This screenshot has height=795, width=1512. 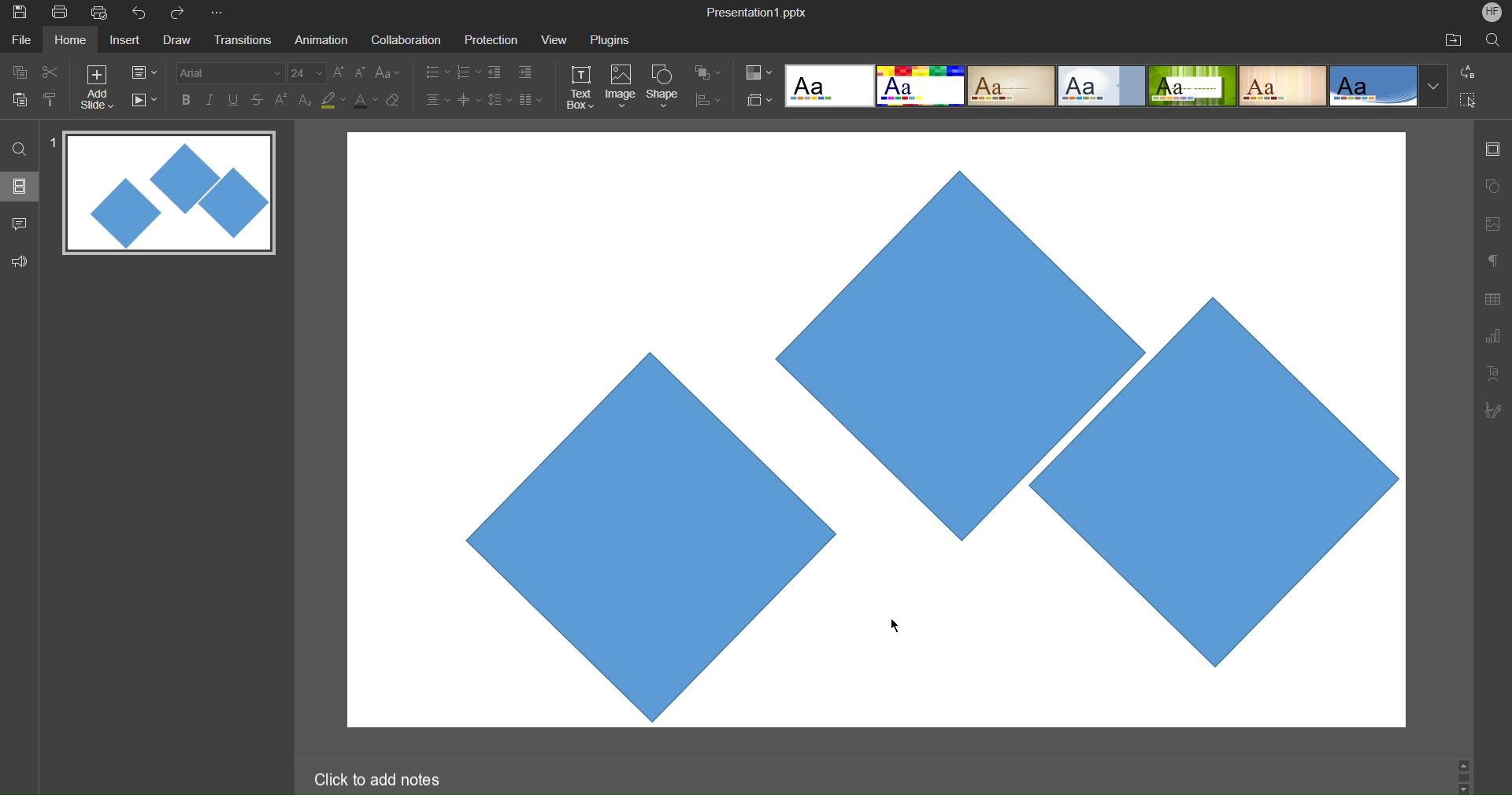 I want to click on Arrange, so click(x=709, y=72).